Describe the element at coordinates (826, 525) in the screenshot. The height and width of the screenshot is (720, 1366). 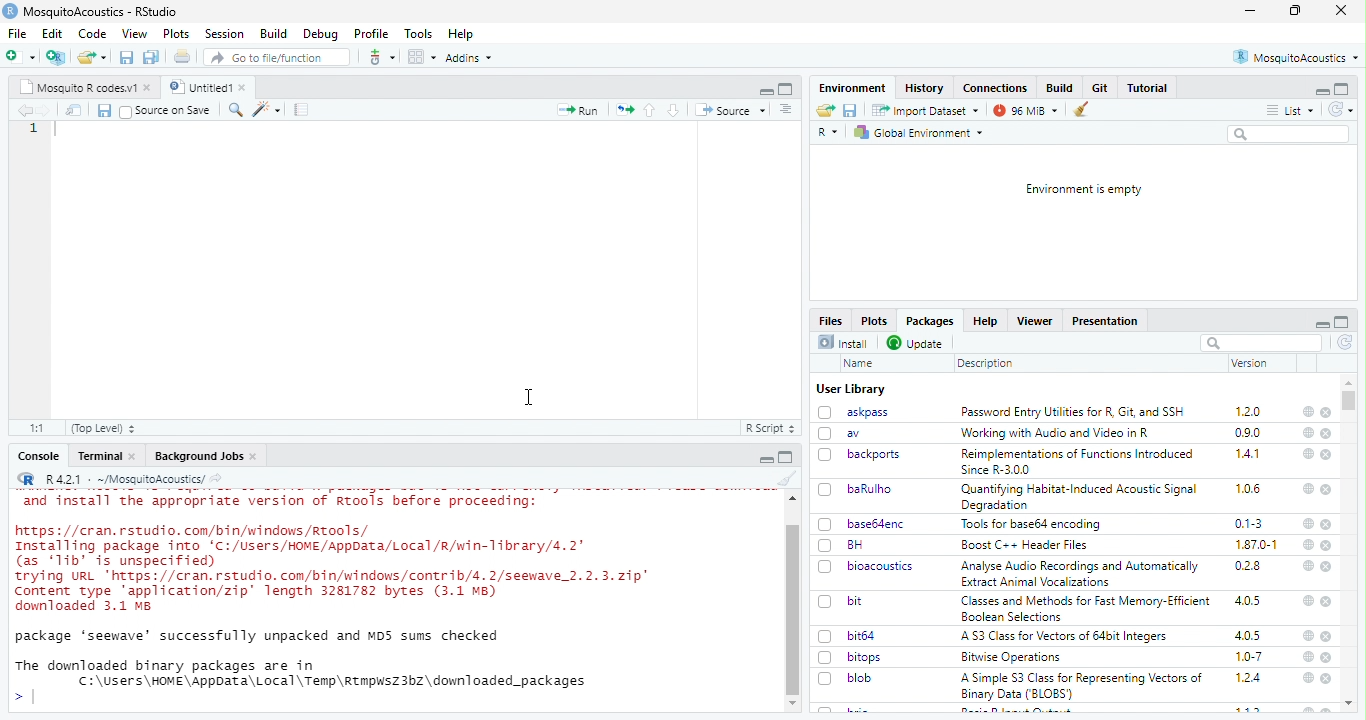
I see `checkbox` at that location.